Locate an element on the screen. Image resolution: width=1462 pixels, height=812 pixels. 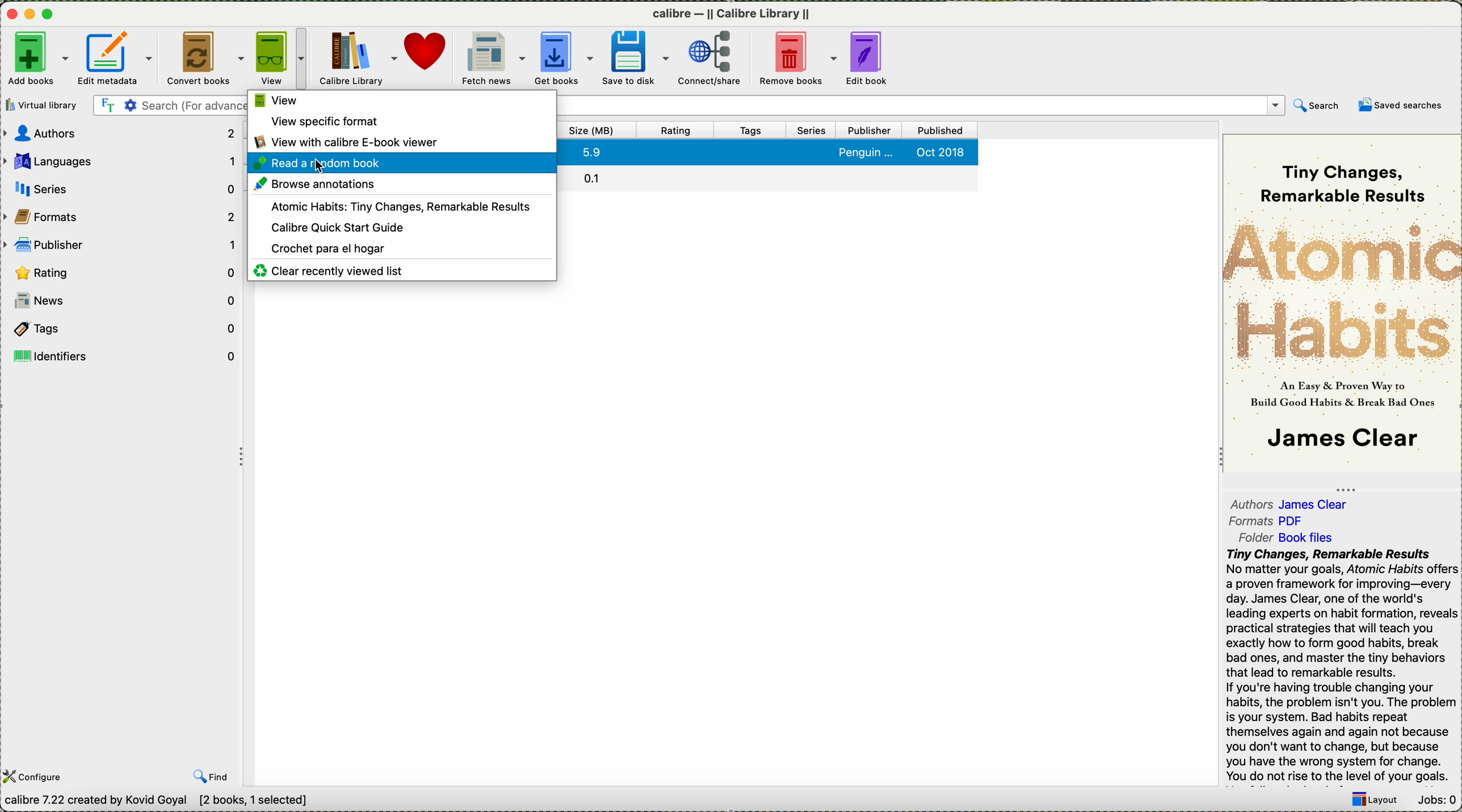
formats is located at coordinates (121, 214).